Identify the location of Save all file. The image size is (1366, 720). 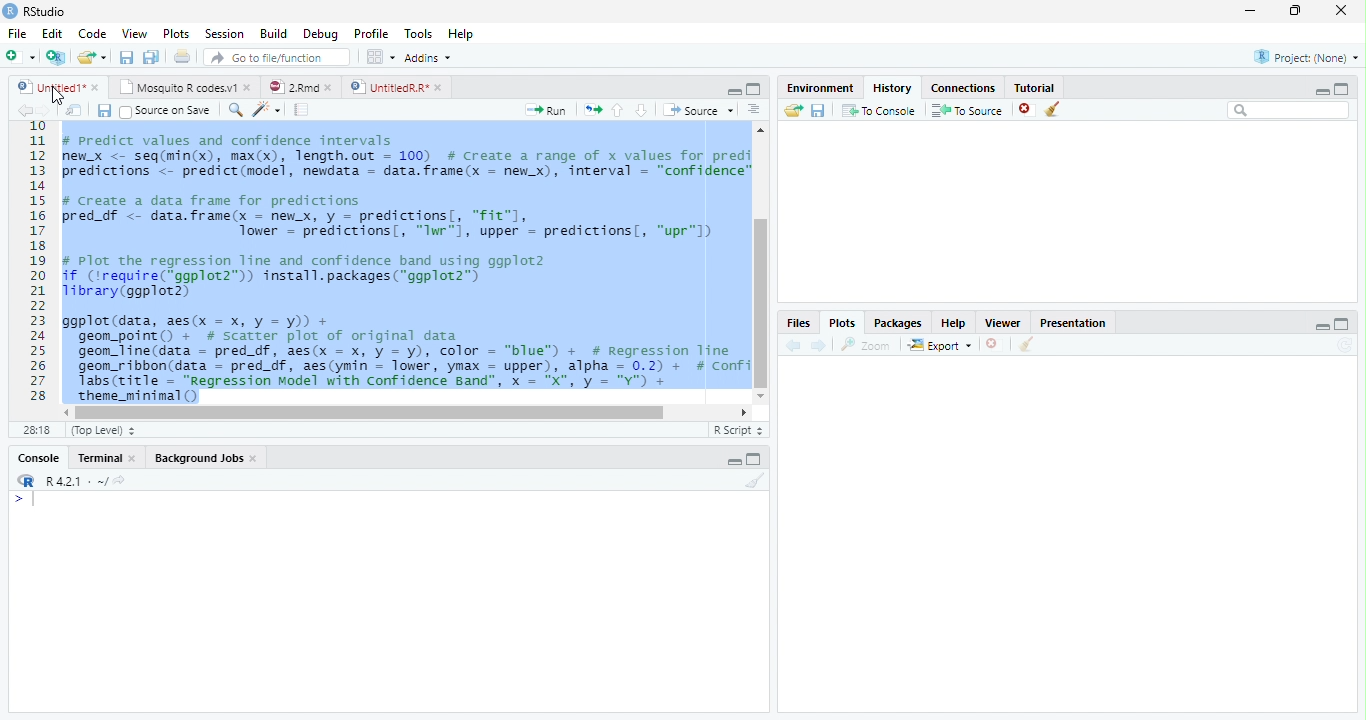
(150, 58).